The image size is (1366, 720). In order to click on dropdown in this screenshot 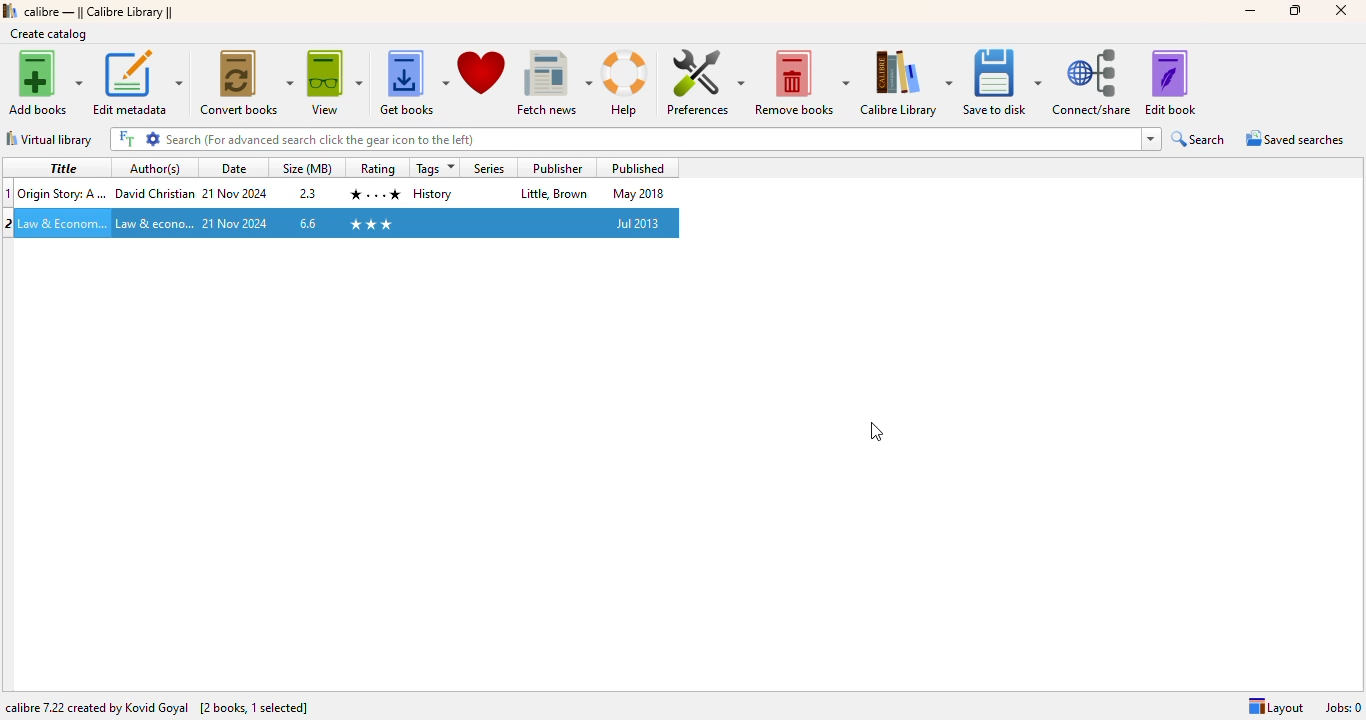, I will do `click(1151, 139)`.